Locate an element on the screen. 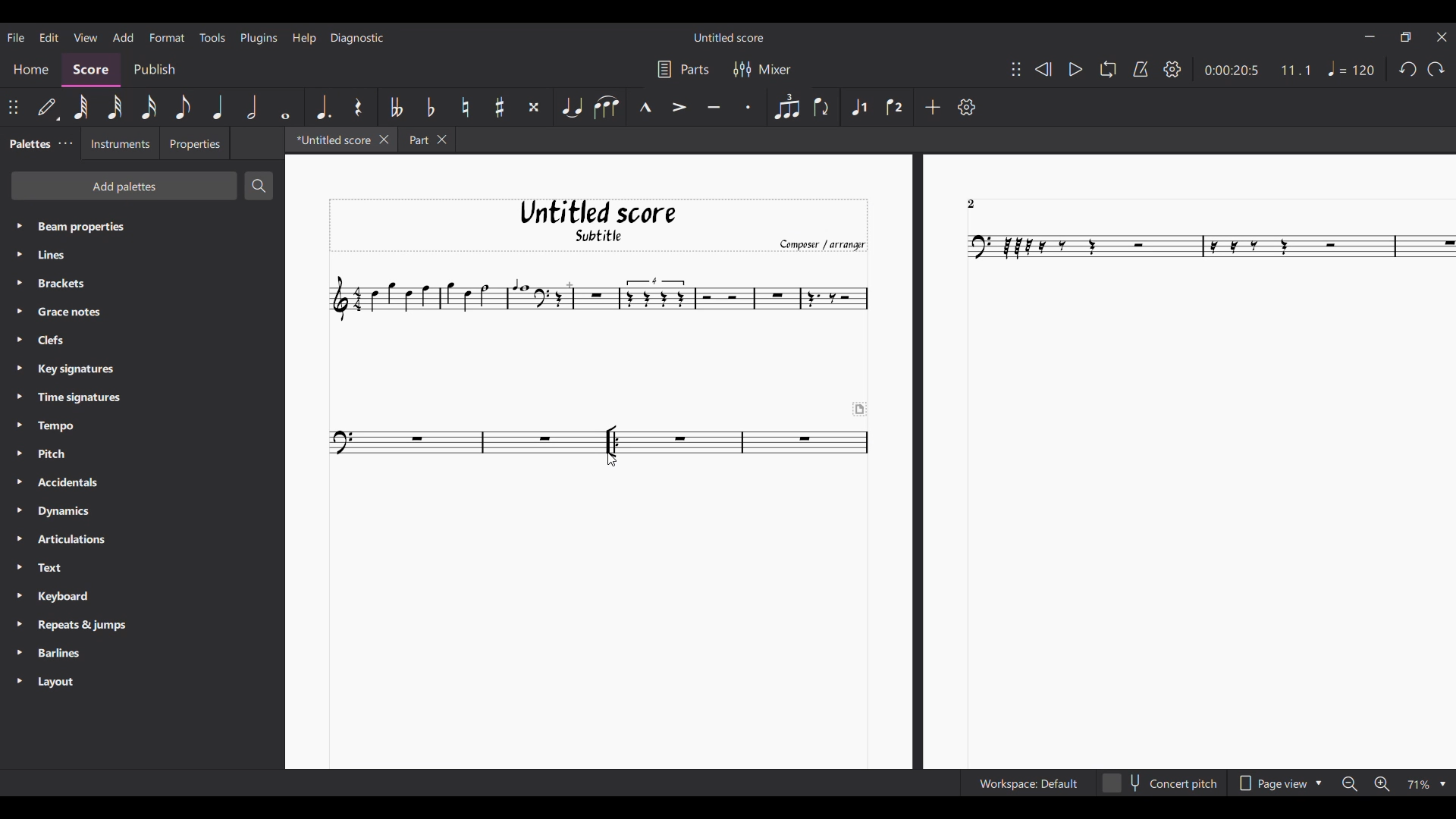 The height and width of the screenshot is (819, 1456). Half note is located at coordinates (252, 107).